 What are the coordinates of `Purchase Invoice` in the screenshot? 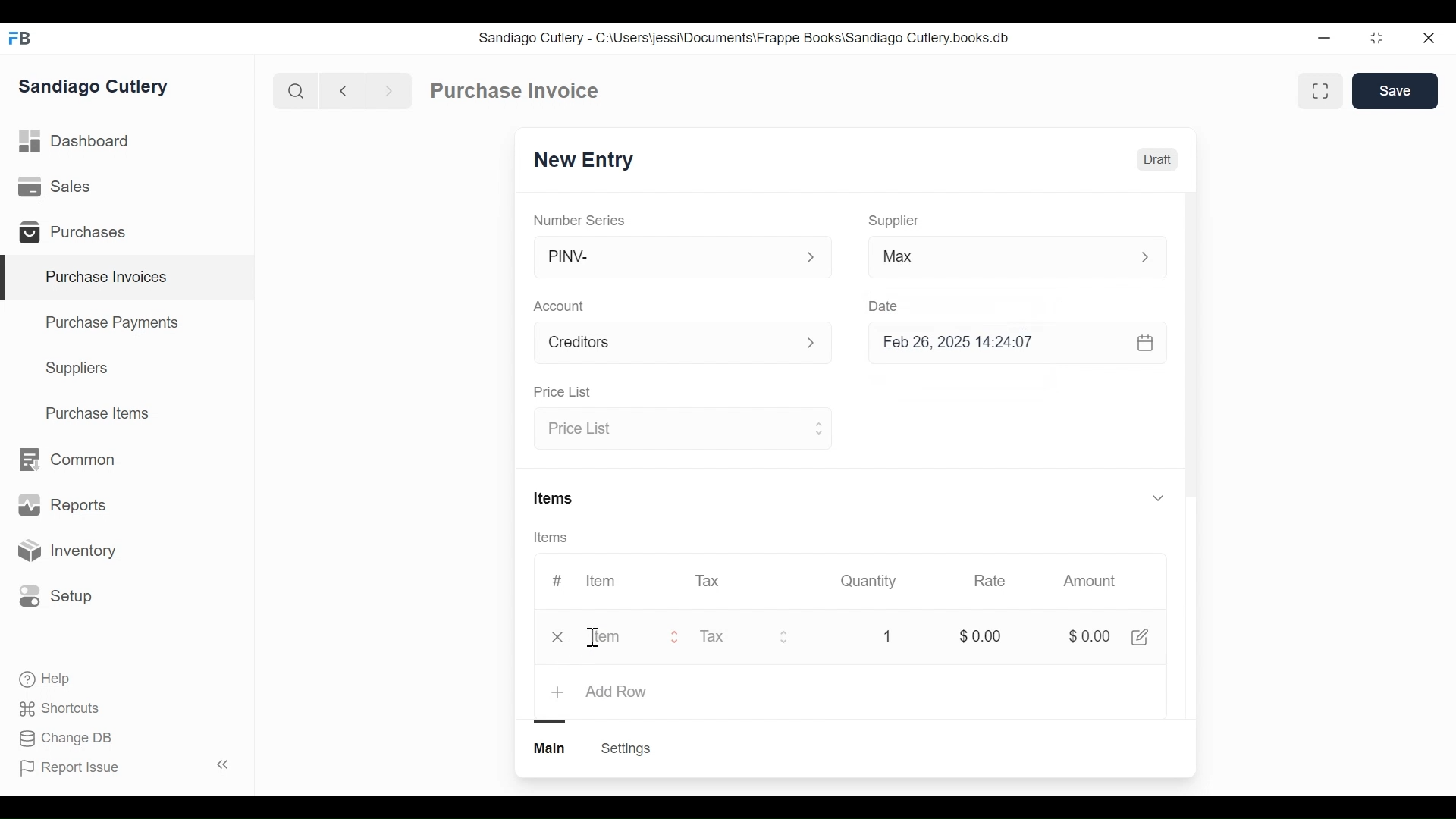 It's located at (516, 91).